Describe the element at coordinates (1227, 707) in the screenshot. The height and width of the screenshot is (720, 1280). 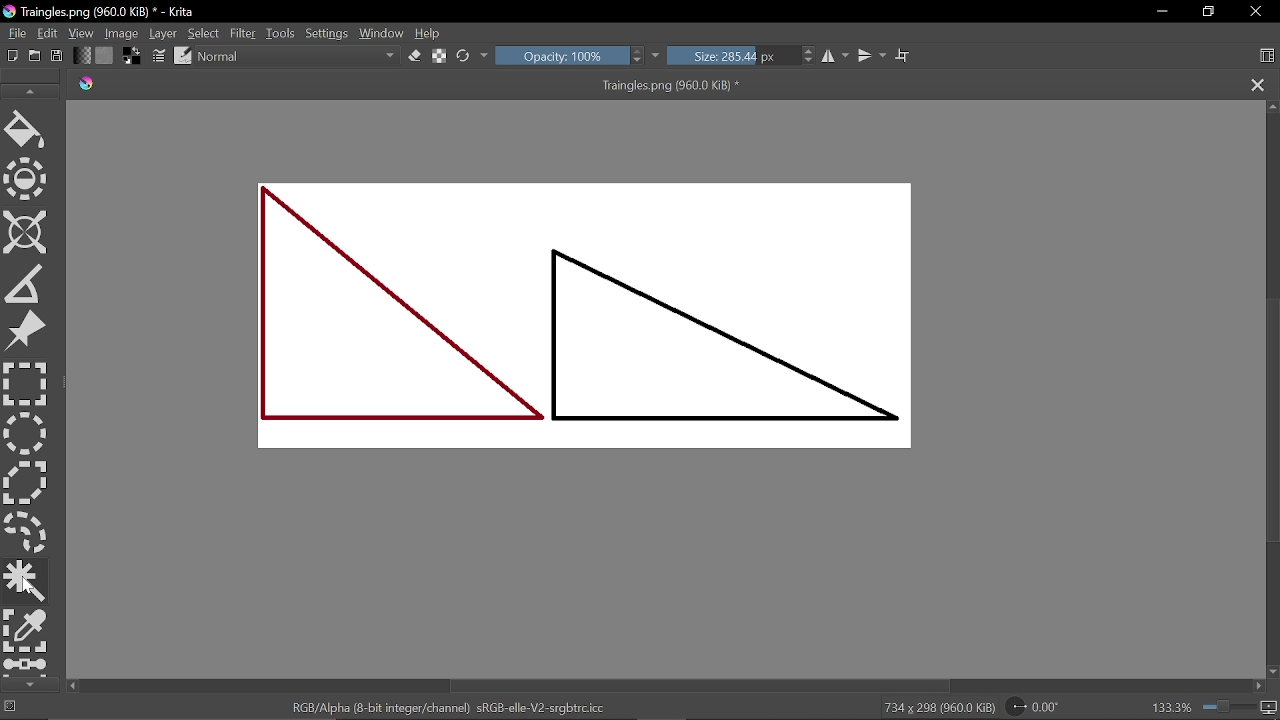
I see `zoom bar` at that location.